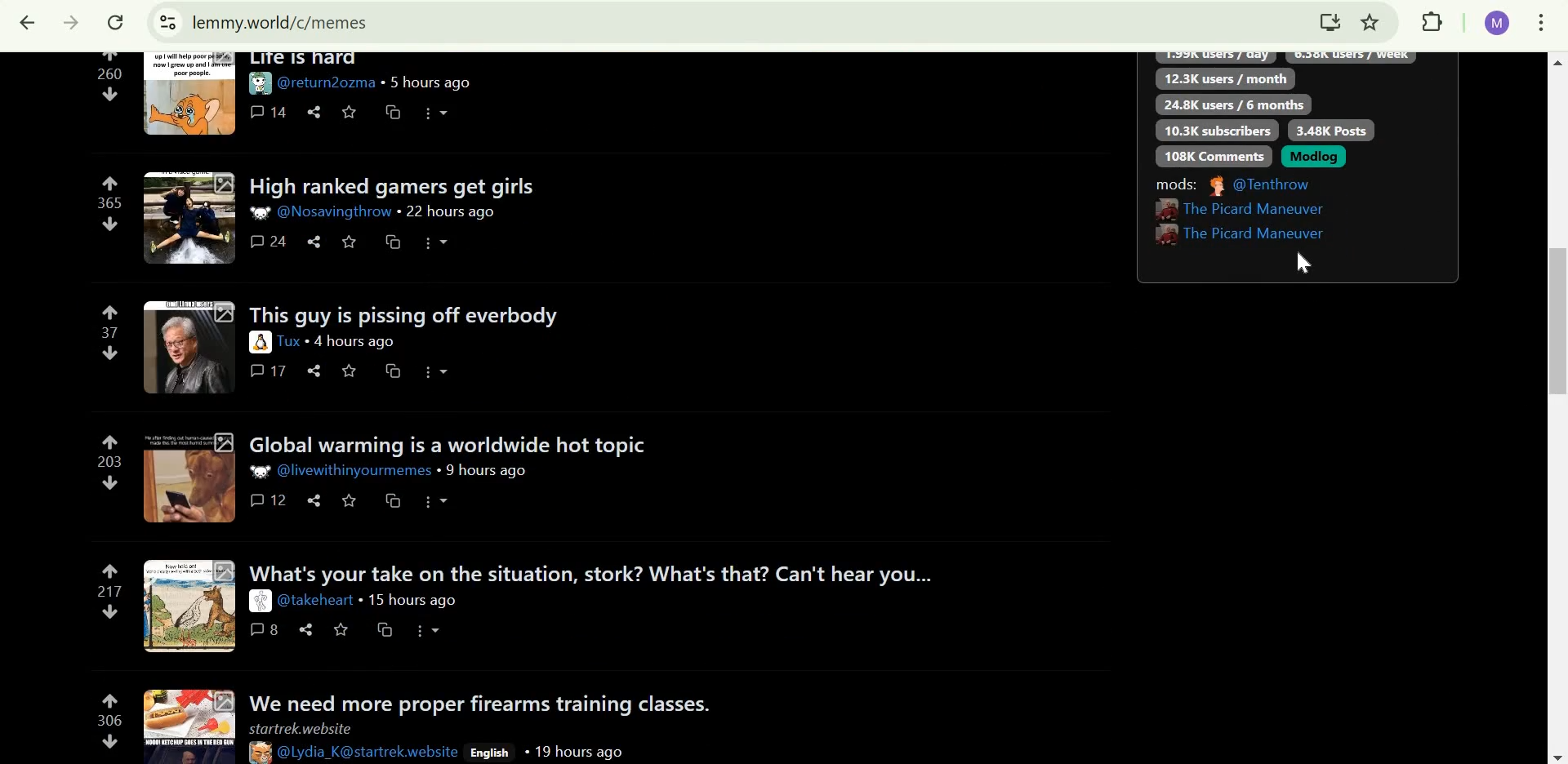 This screenshot has width=1568, height=764. What do you see at coordinates (350, 499) in the screenshot?
I see `save` at bounding box center [350, 499].